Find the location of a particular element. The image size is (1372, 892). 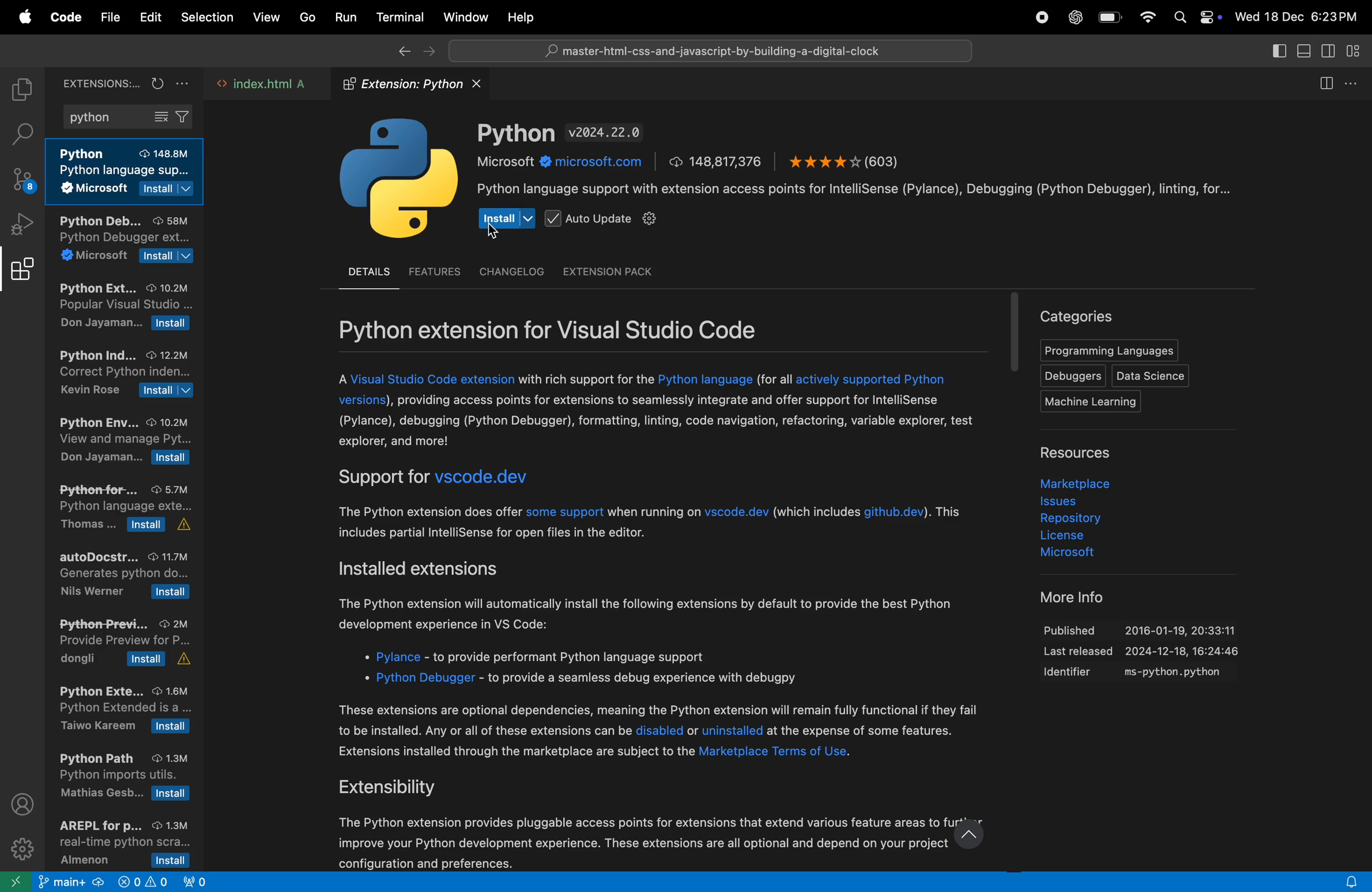

Debuggers is located at coordinates (1071, 376).